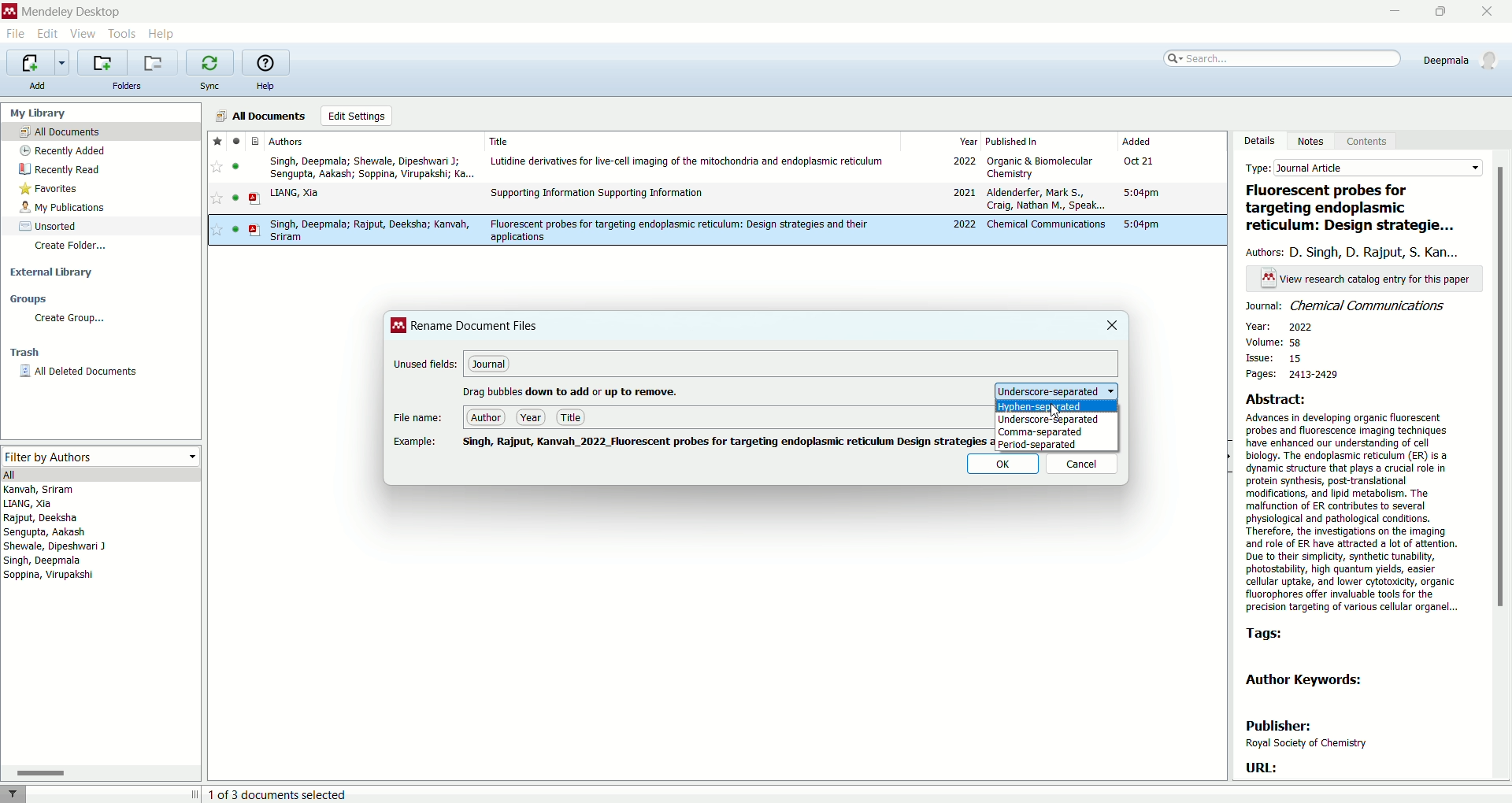  Describe the element at coordinates (417, 419) in the screenshot. I see `ile name` at that location.